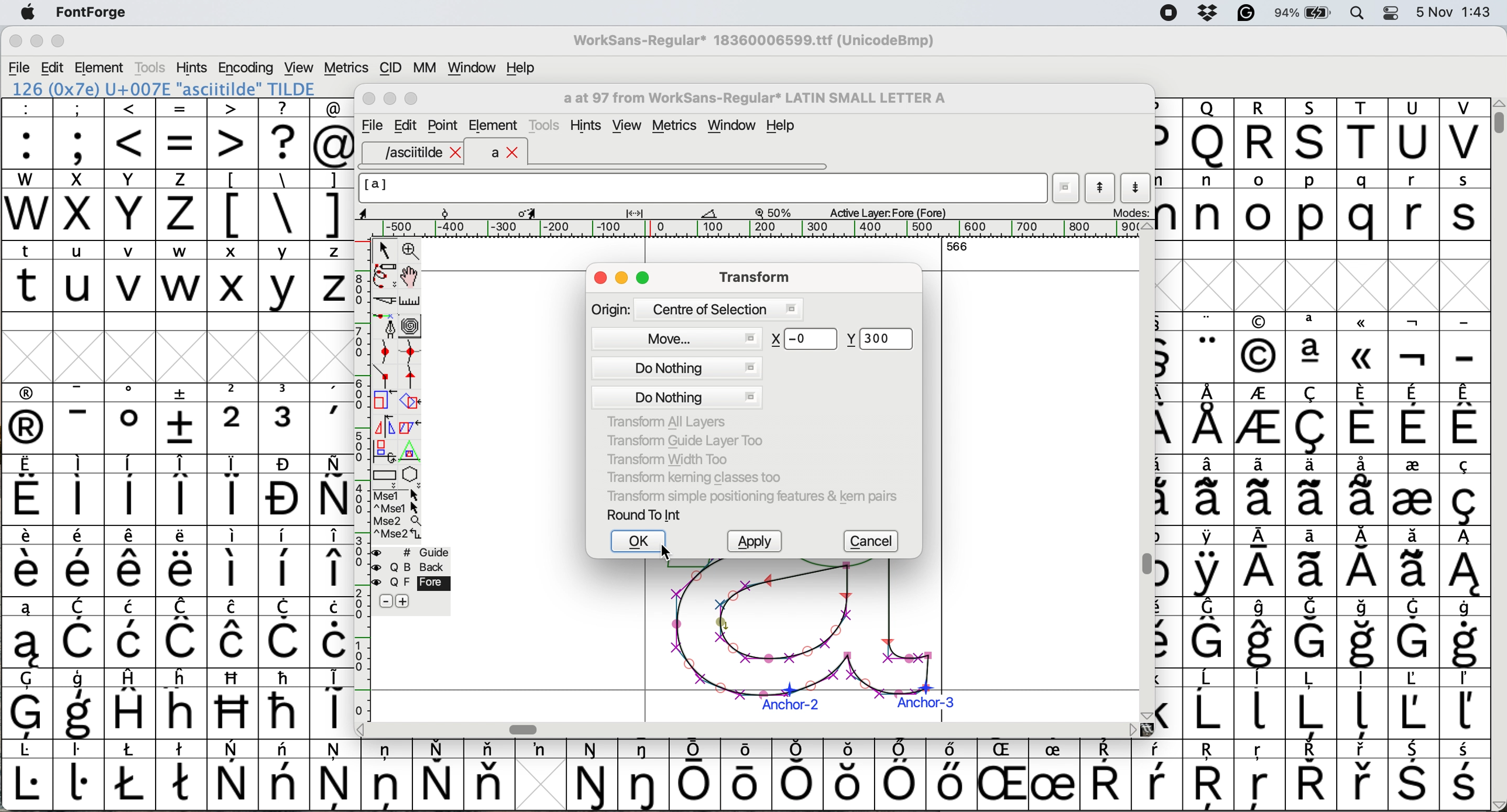  I want to click on symbol, so click(132, 562).